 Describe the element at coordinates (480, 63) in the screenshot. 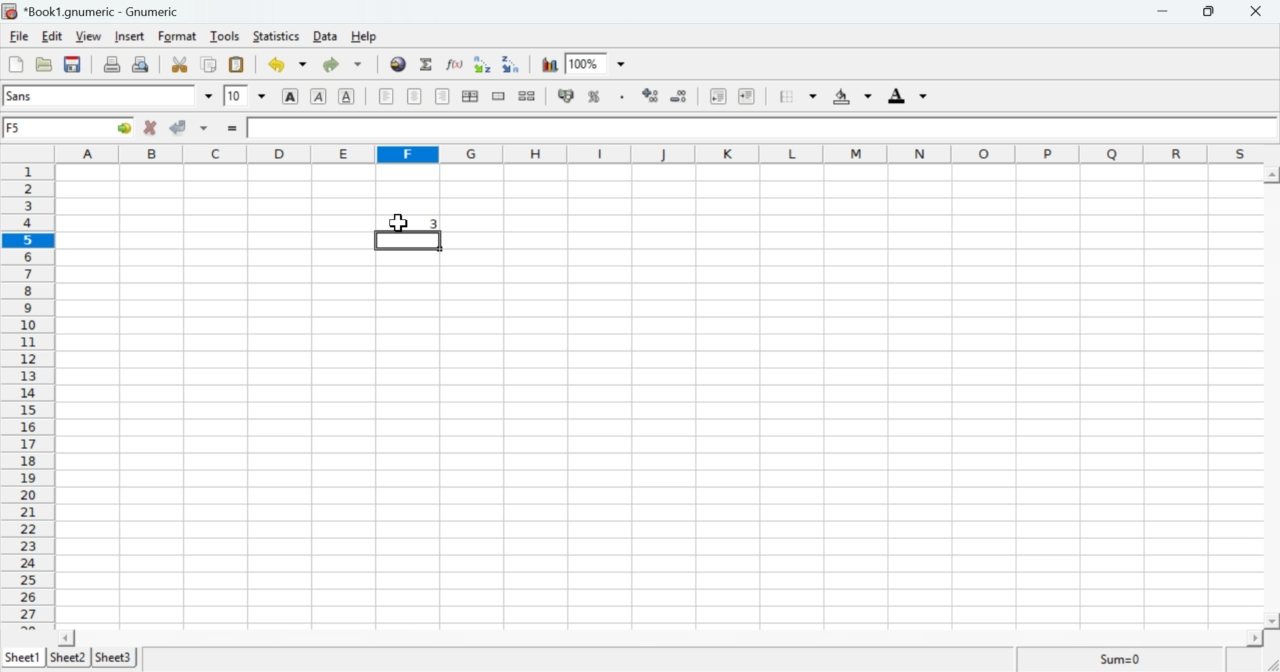

I see `Sort in ascending` at that location.